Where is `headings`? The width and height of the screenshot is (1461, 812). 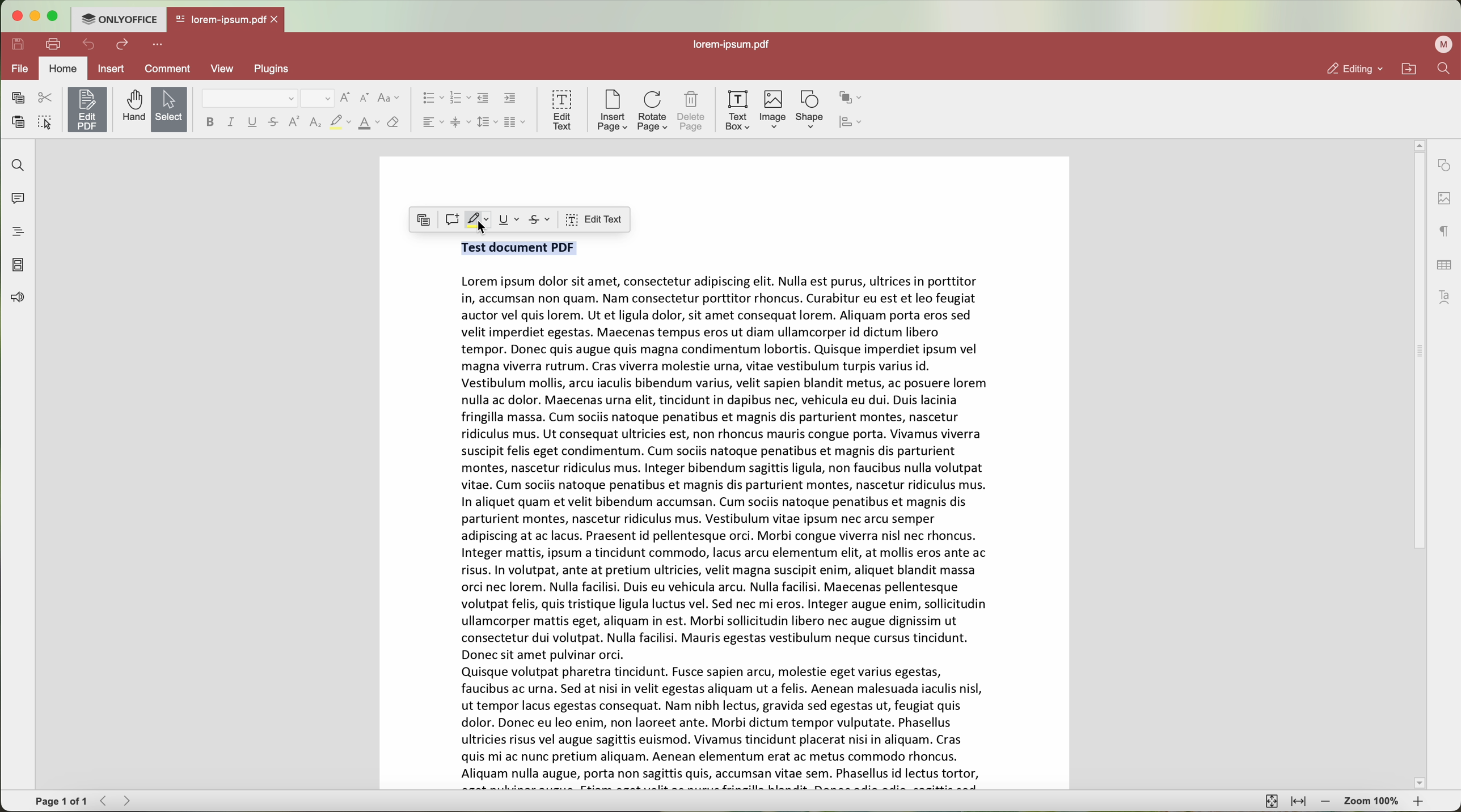
headings is located at coordinates (19, 232).